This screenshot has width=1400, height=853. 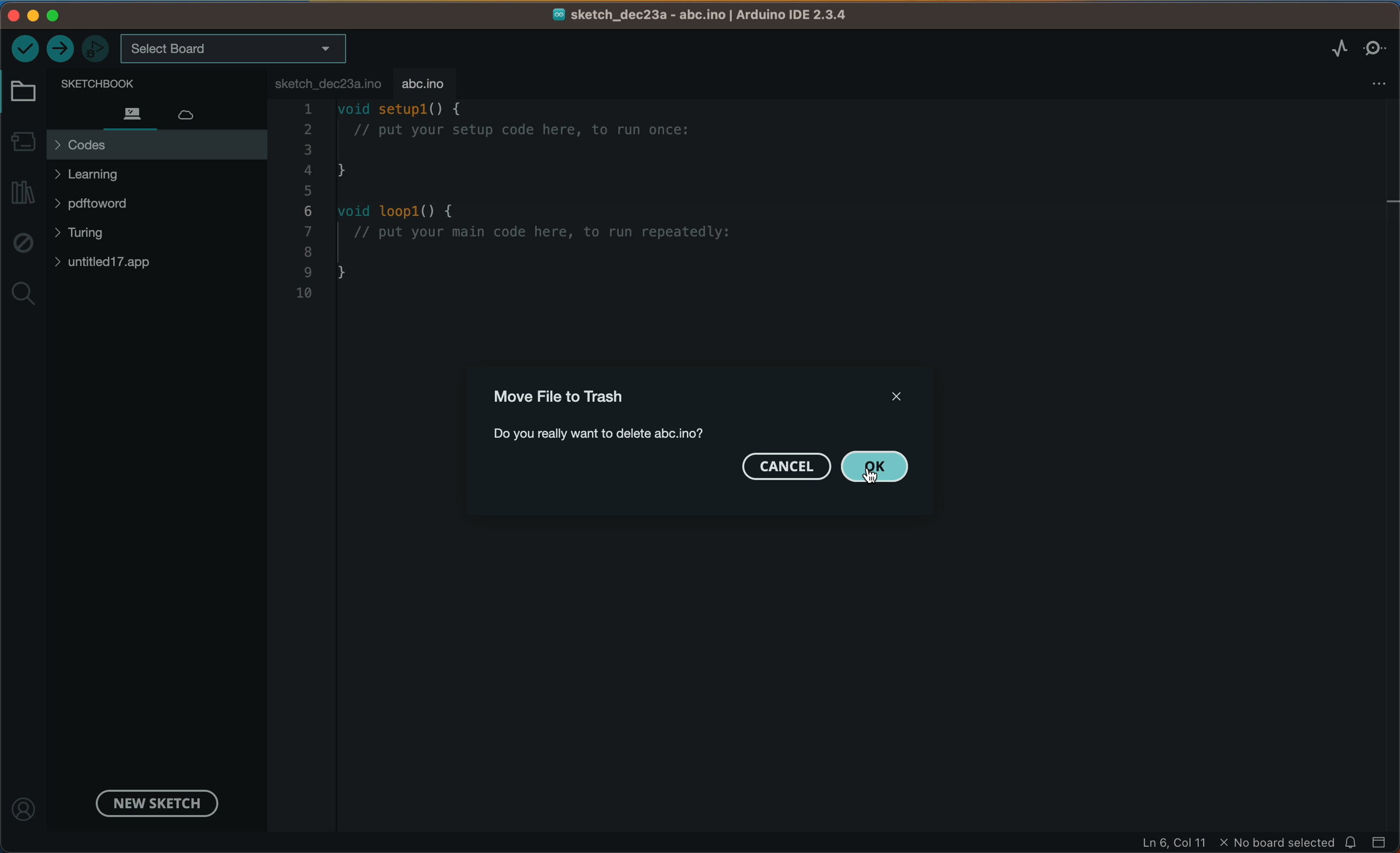 I want to click on profile, so click(x=25, y=801).